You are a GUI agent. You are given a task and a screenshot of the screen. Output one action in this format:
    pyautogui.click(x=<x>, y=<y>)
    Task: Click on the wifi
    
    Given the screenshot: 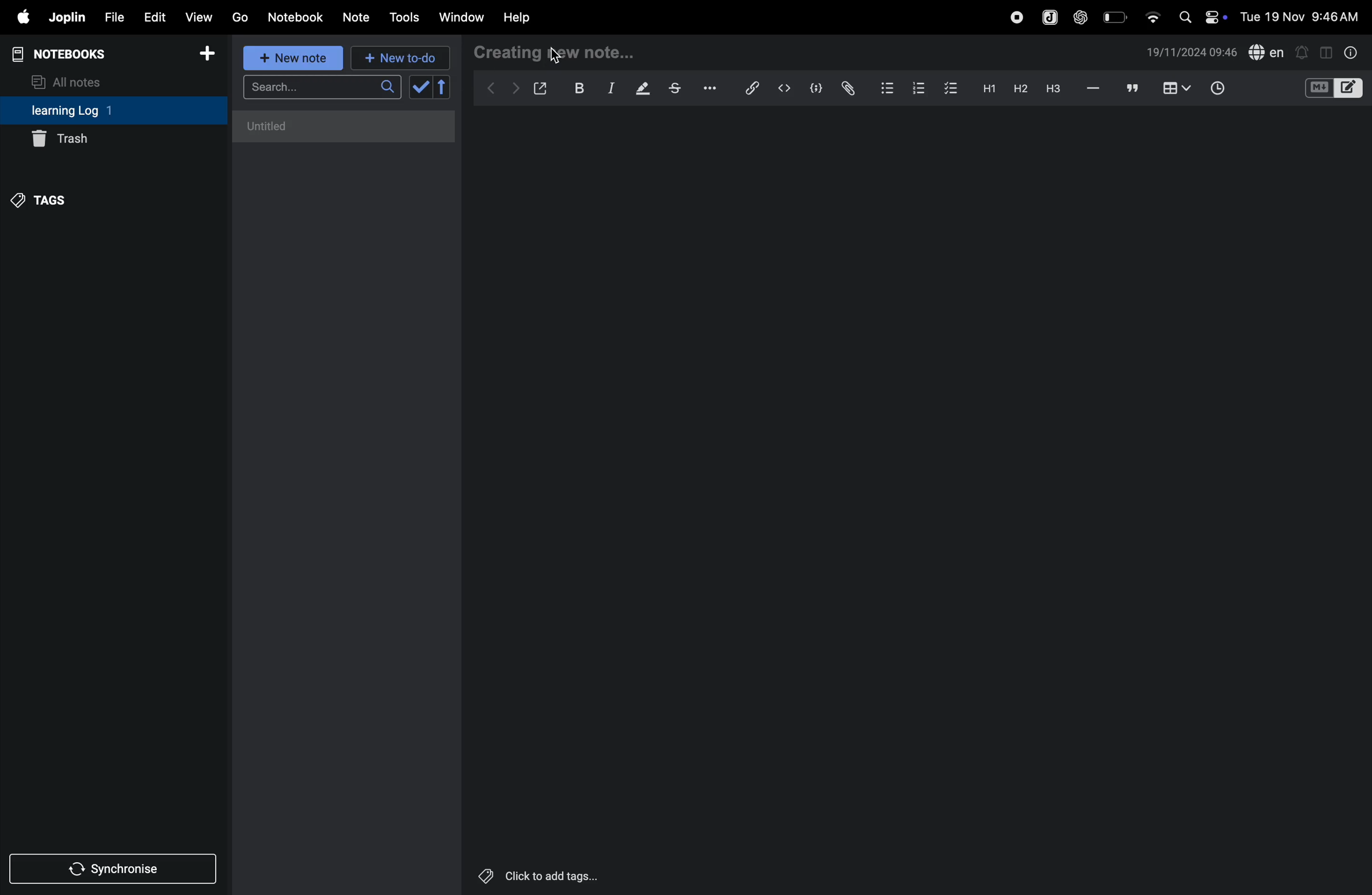 What is the action you would take?
    pyautogui.click(x=1152, y=13)
    